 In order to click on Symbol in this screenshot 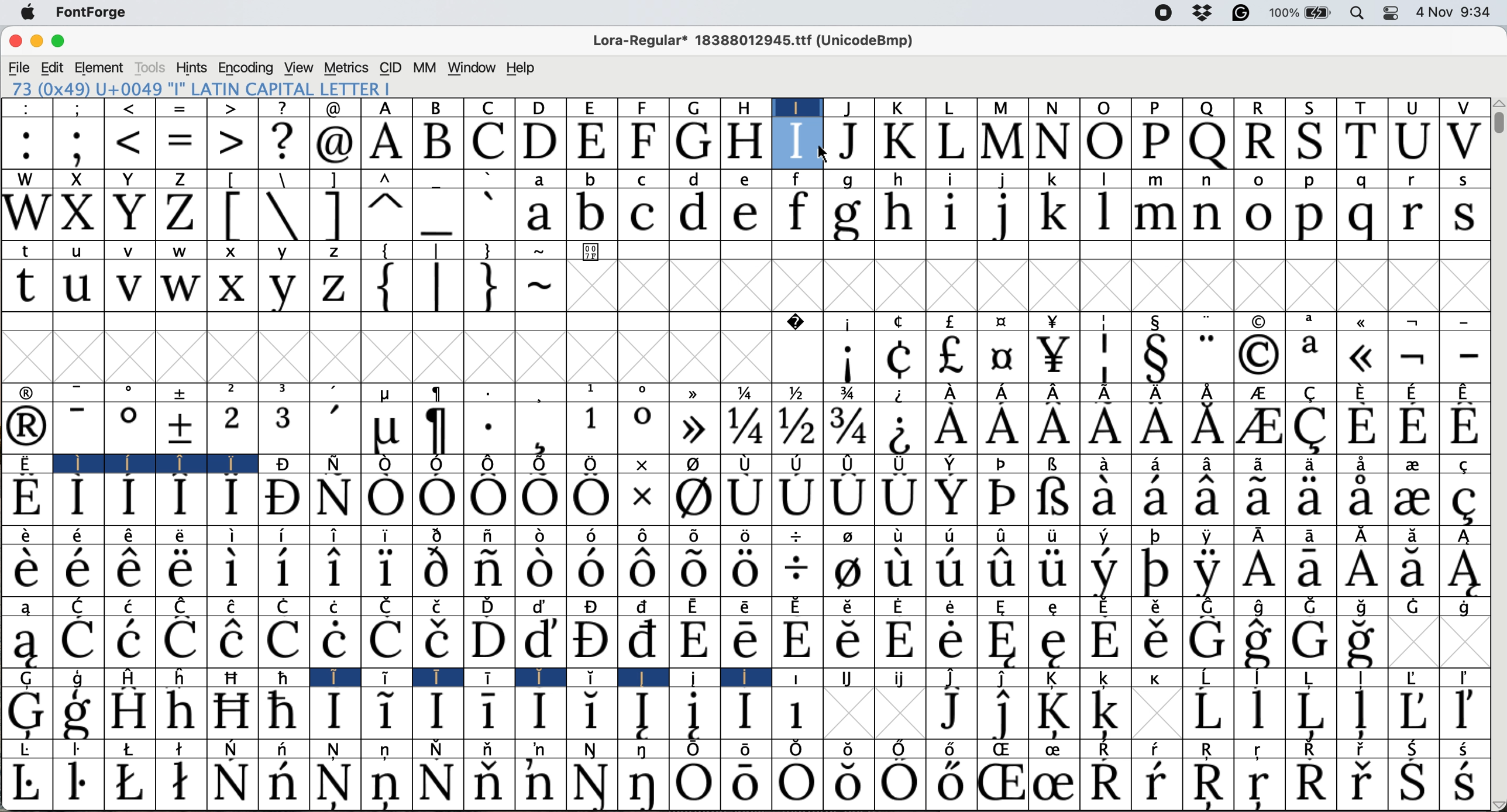, I will do `click(795, 641)`.